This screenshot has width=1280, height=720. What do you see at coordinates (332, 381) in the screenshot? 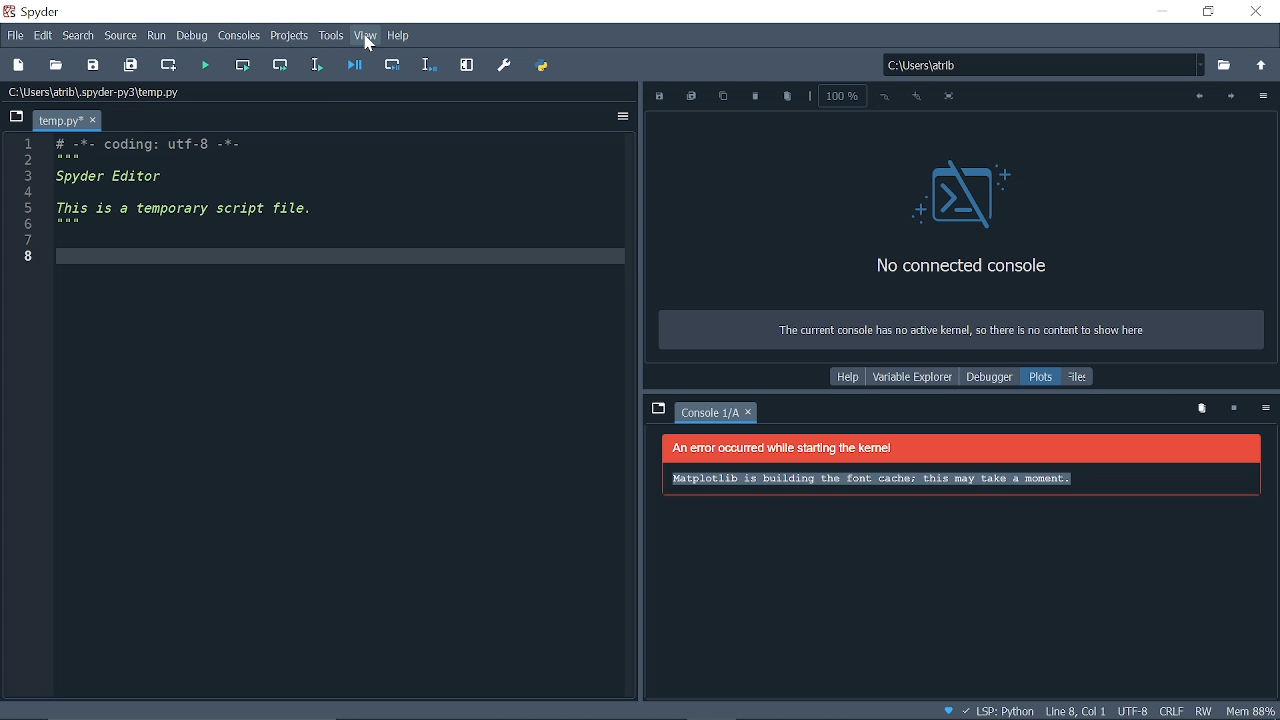
I see `Space for writting code` at bounding box center [332, 381].